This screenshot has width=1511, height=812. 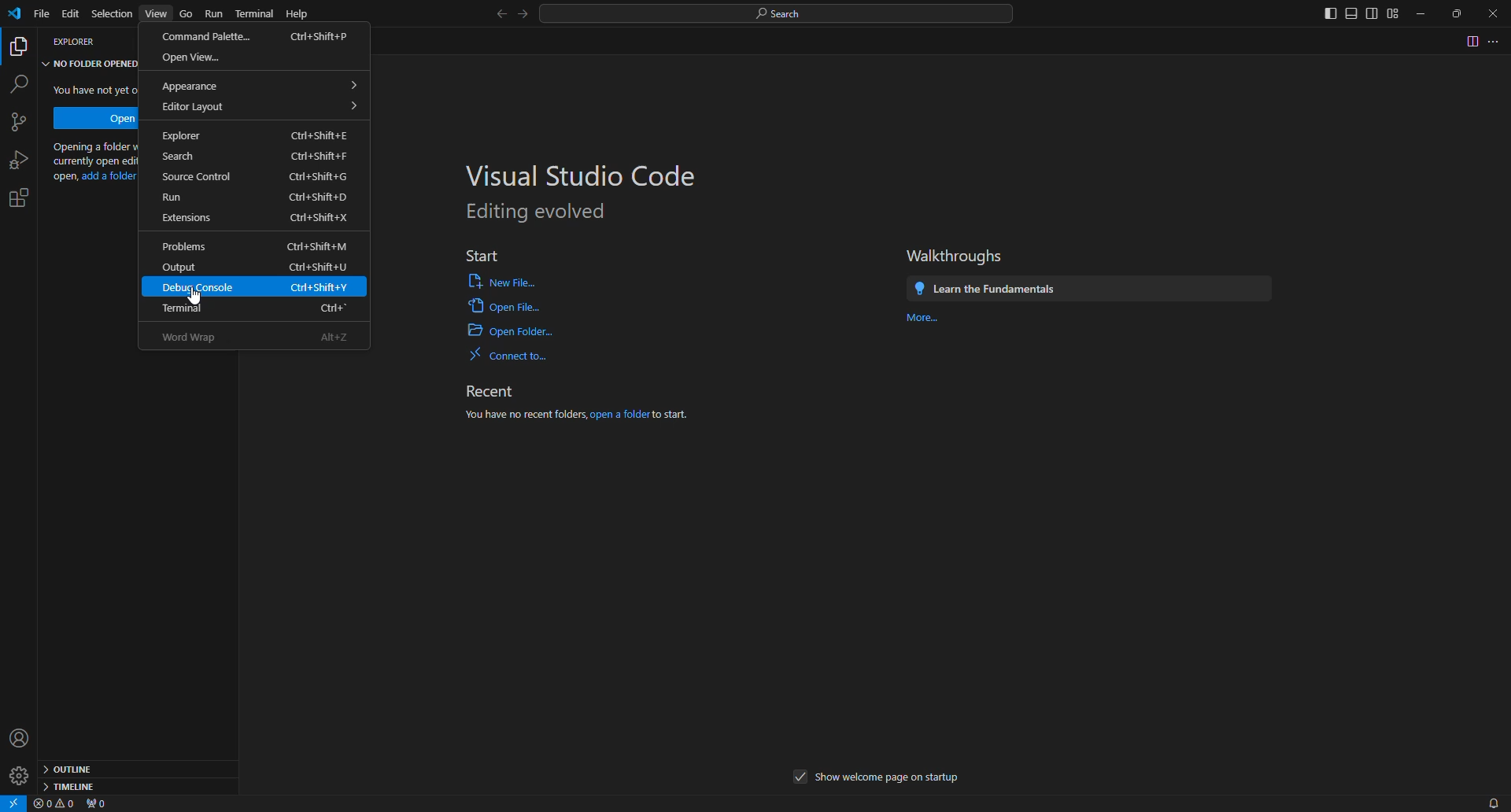 What do you see at coordinates (523, 18) in the screenshot?
I see `next` at bounding box center [523, 18].